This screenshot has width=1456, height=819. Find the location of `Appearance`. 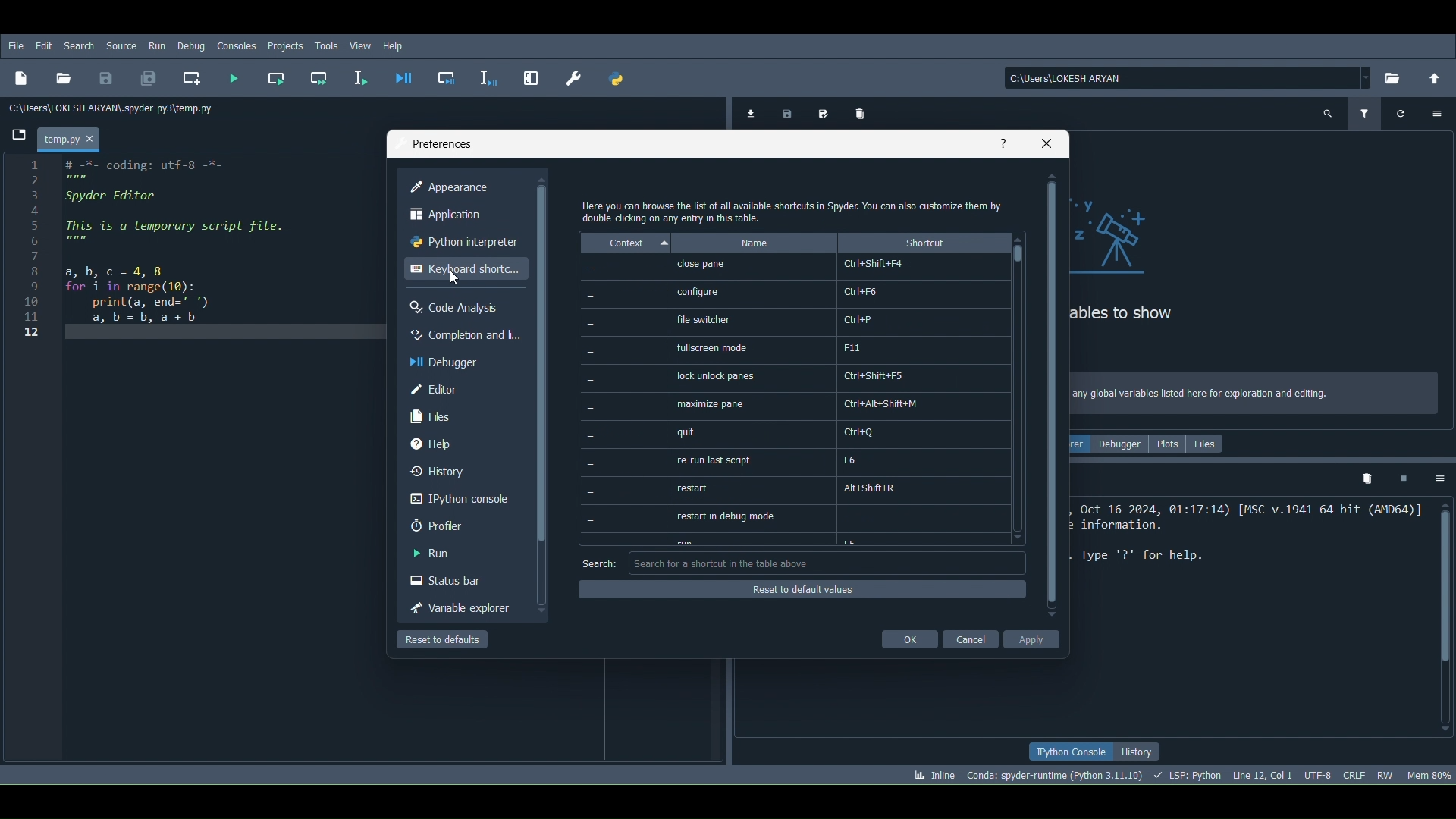

Appearance is located at coordinates (450, 185).